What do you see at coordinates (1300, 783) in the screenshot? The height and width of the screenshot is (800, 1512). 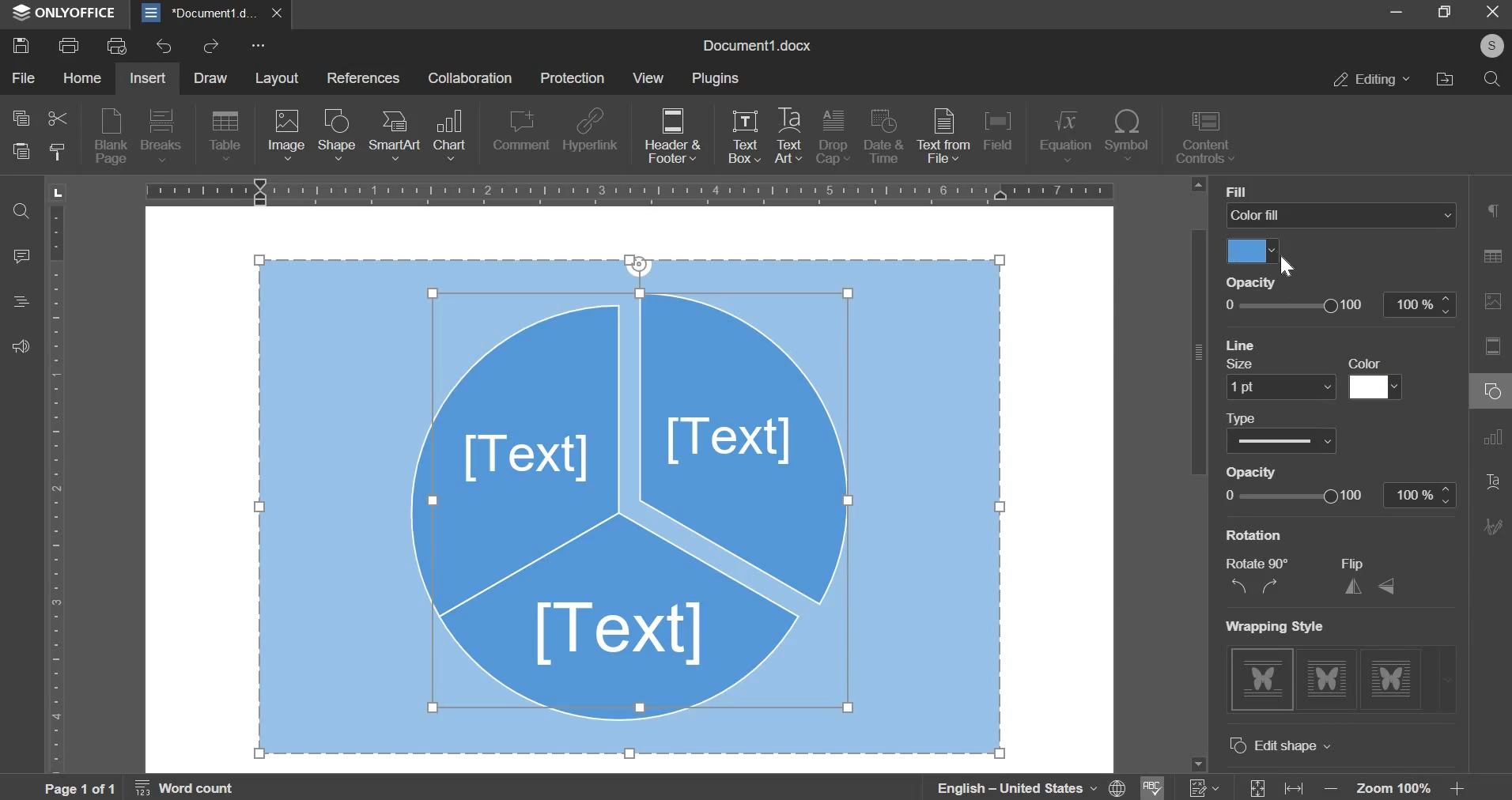 I see `fit width` at bounding box center [1300, 783].